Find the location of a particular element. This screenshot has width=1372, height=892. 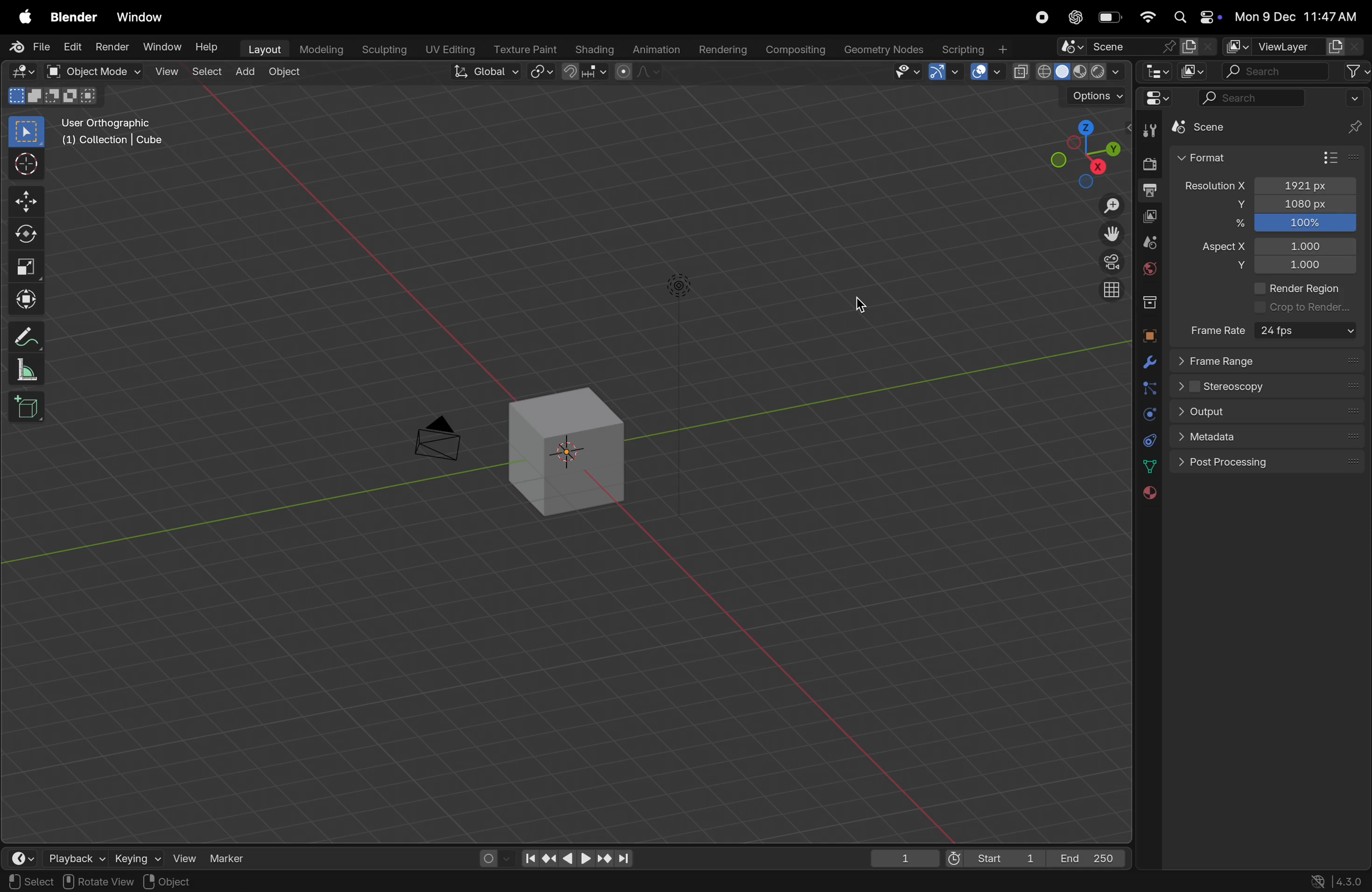

layout is located at coordinates (260, 49).